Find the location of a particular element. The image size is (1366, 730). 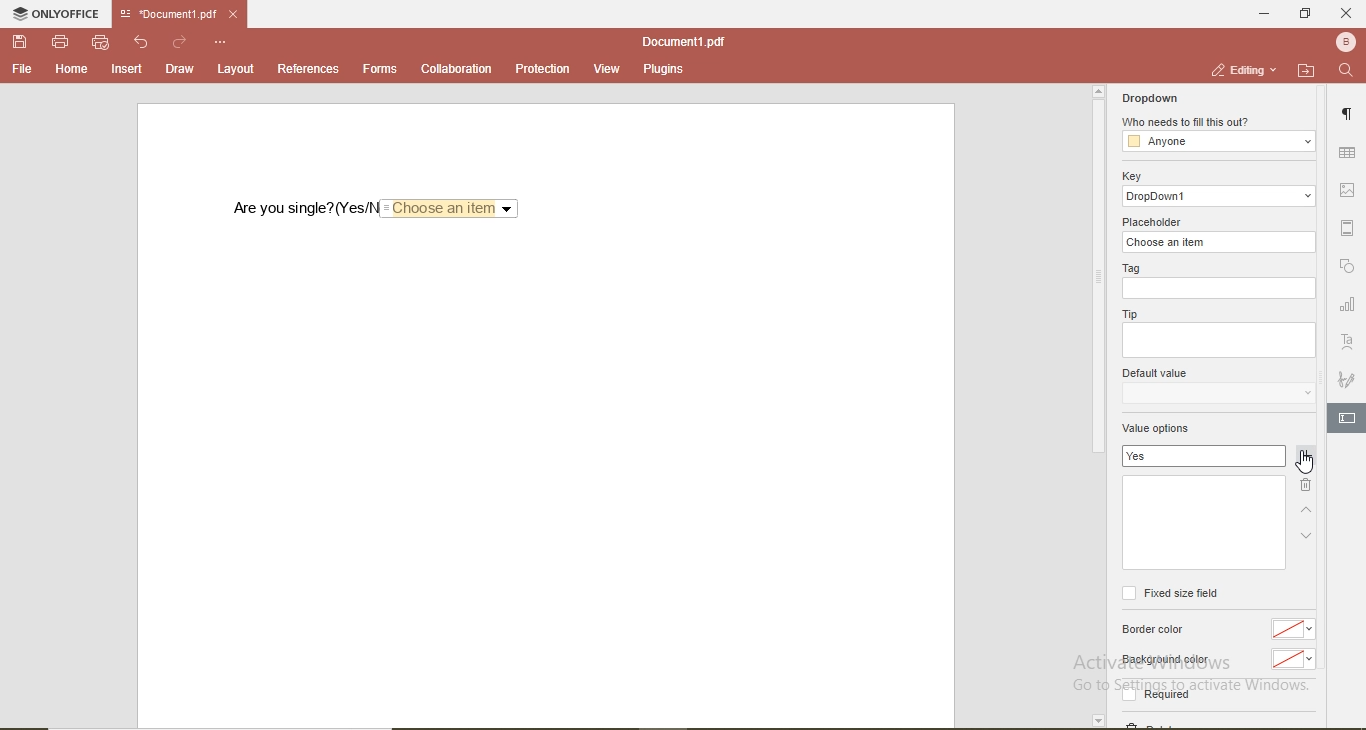

up is located at coordinates (1310, 510).